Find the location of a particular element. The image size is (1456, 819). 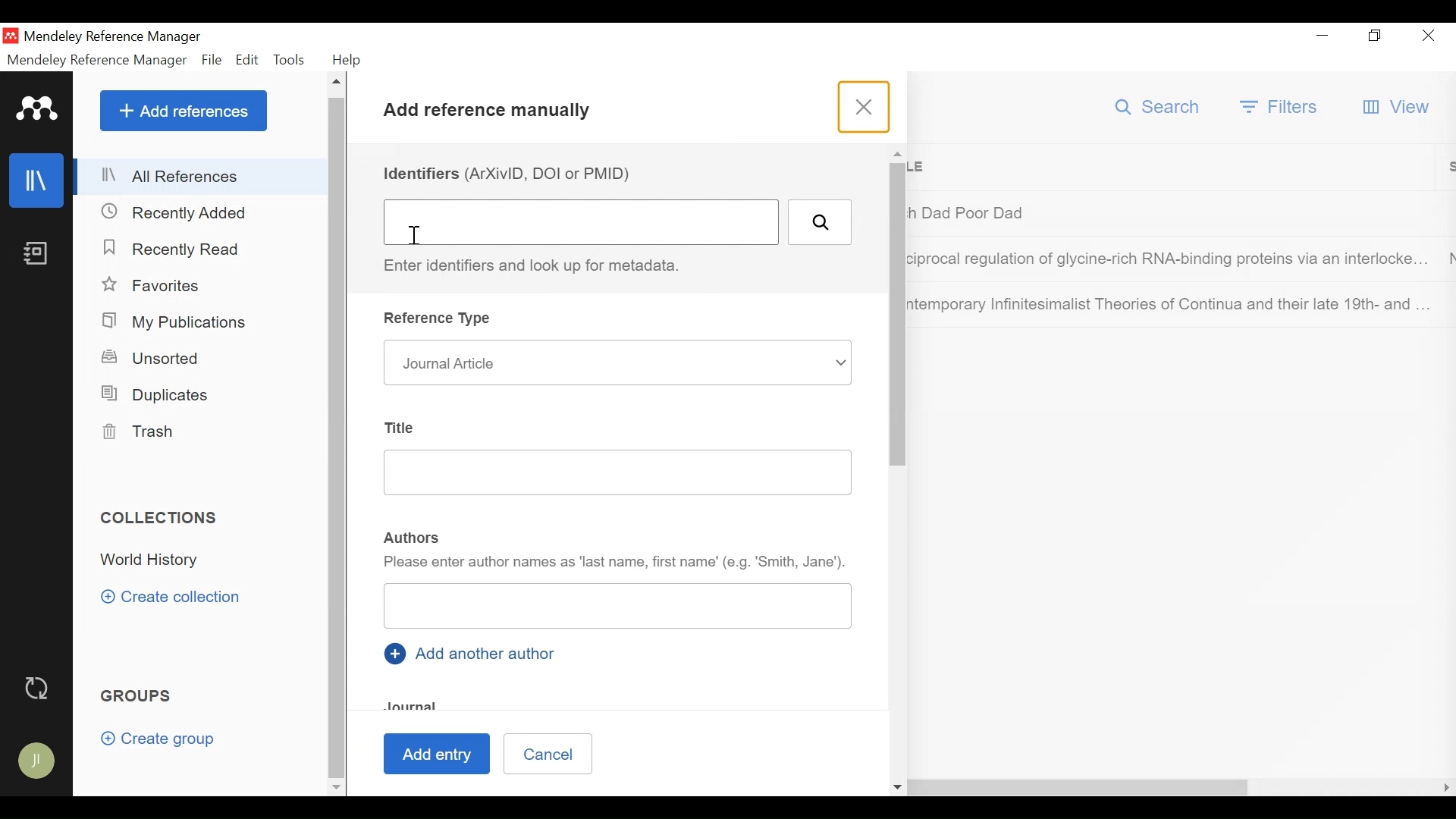

Identifiers (ArXivID, DOI or PMID) is located at coordinates (512, 173).